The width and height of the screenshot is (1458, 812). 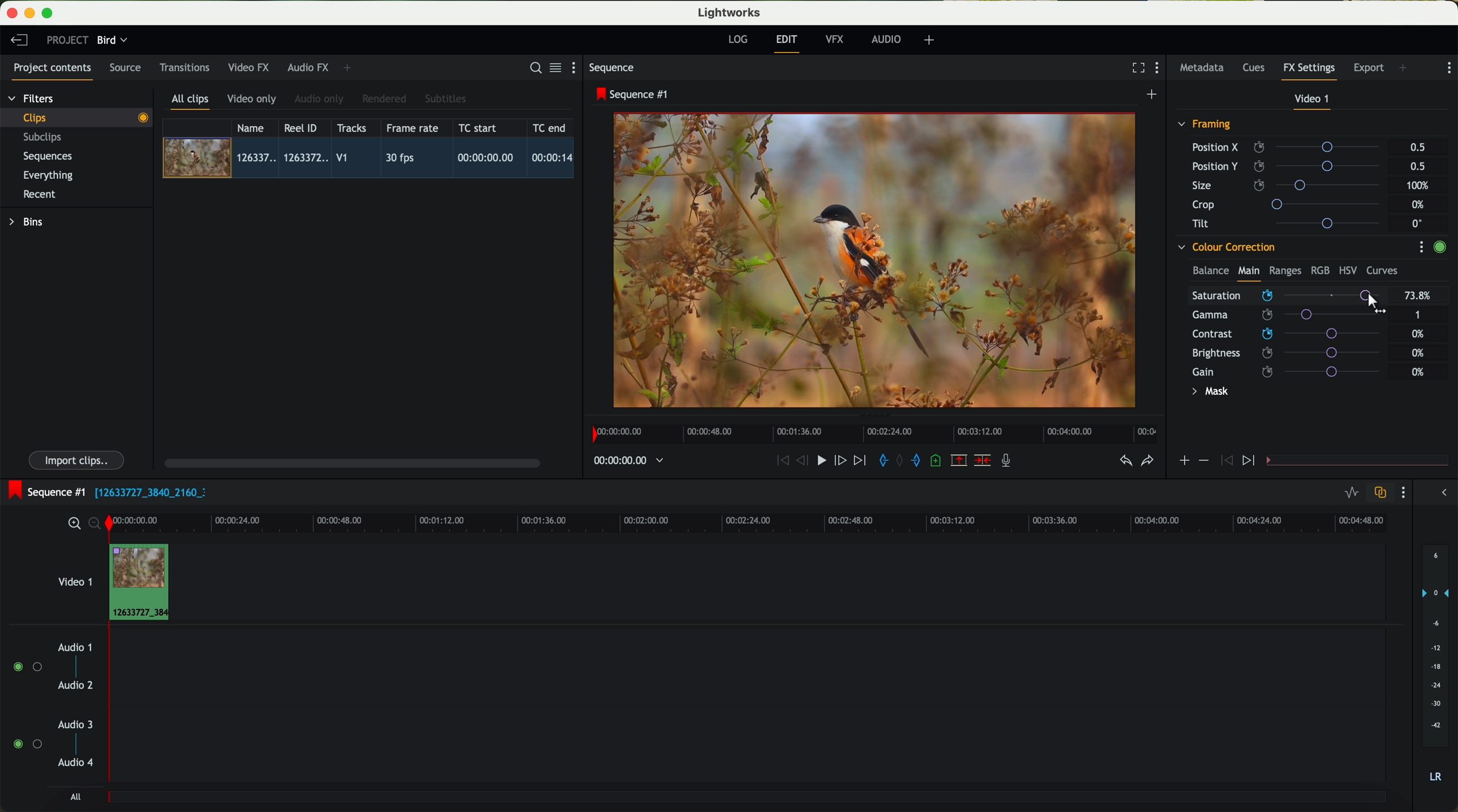 I want to click on enable, so click(x=1439, y=248).